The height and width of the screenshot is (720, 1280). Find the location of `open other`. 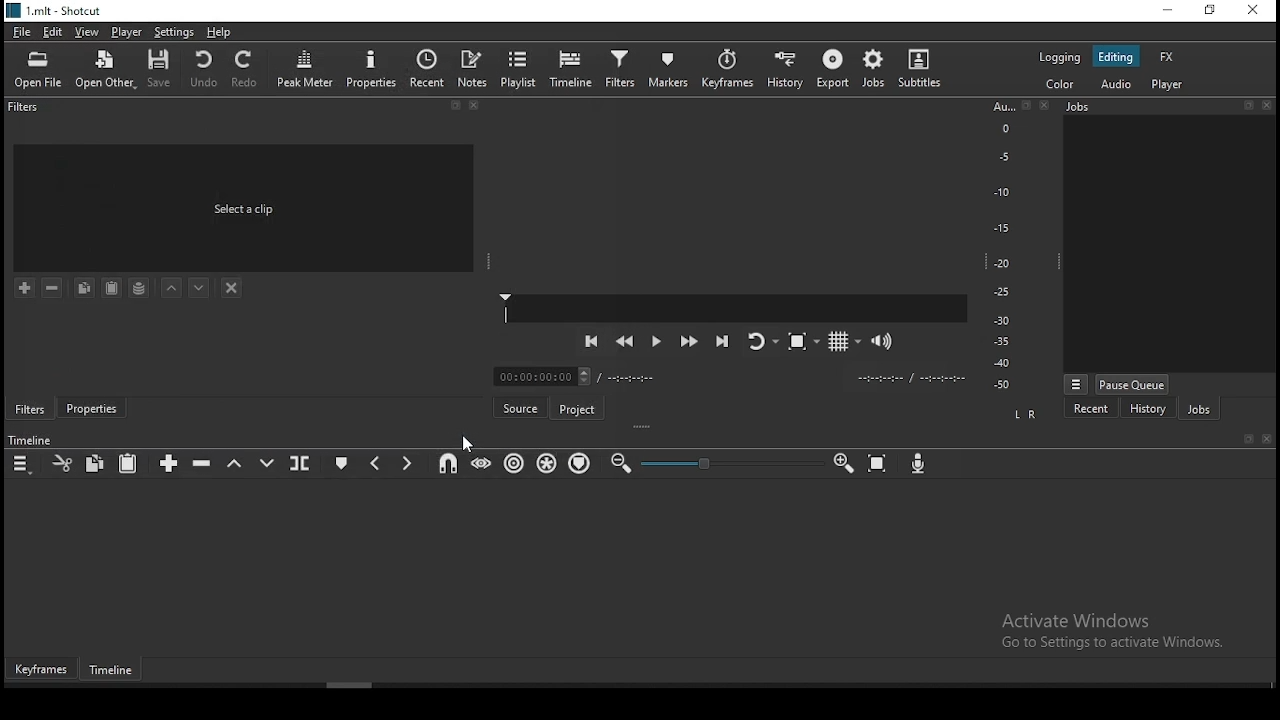

open other is located at coordinates (107, 68).